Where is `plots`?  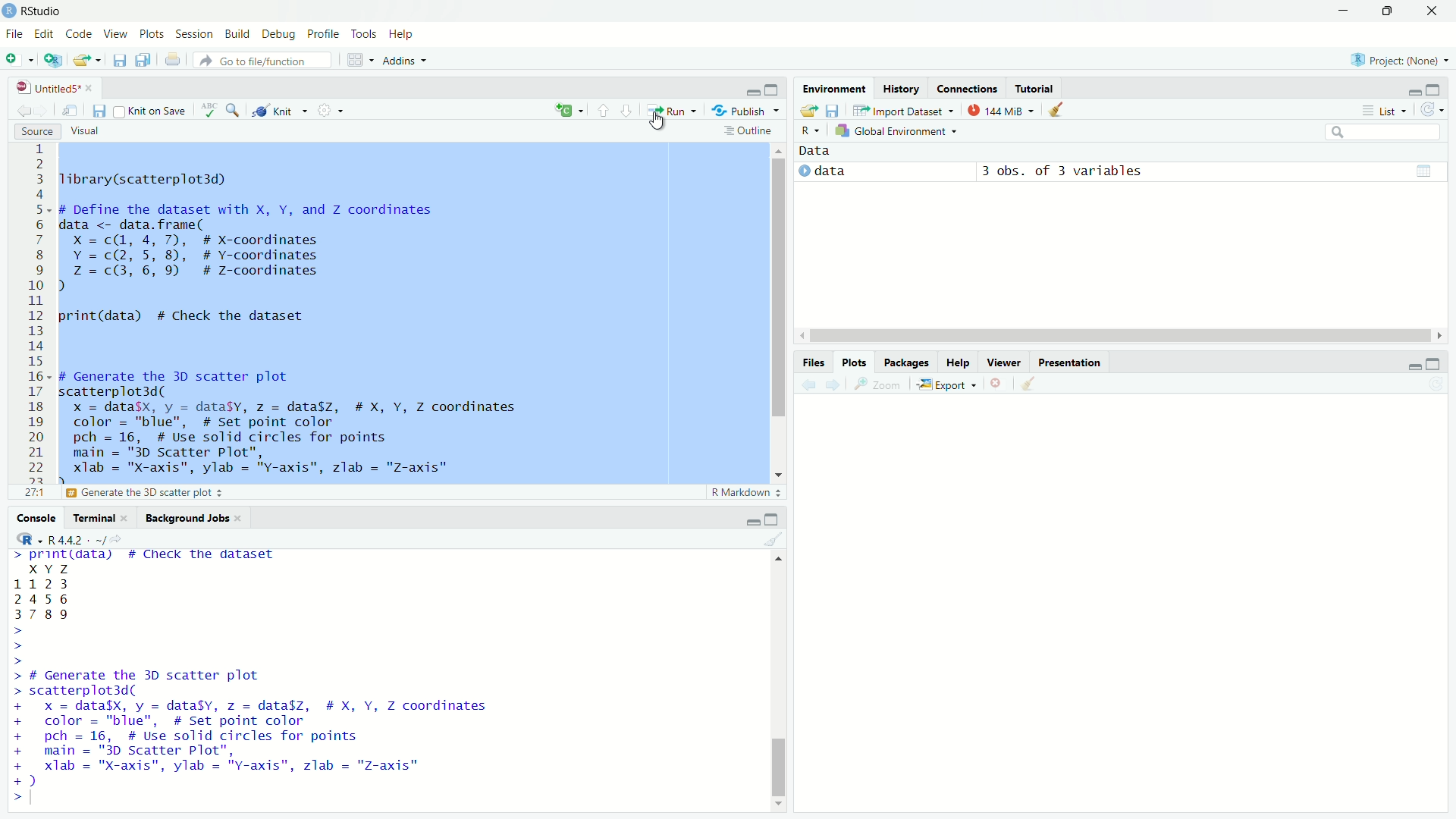 plots is located at coordinates (152, 36).